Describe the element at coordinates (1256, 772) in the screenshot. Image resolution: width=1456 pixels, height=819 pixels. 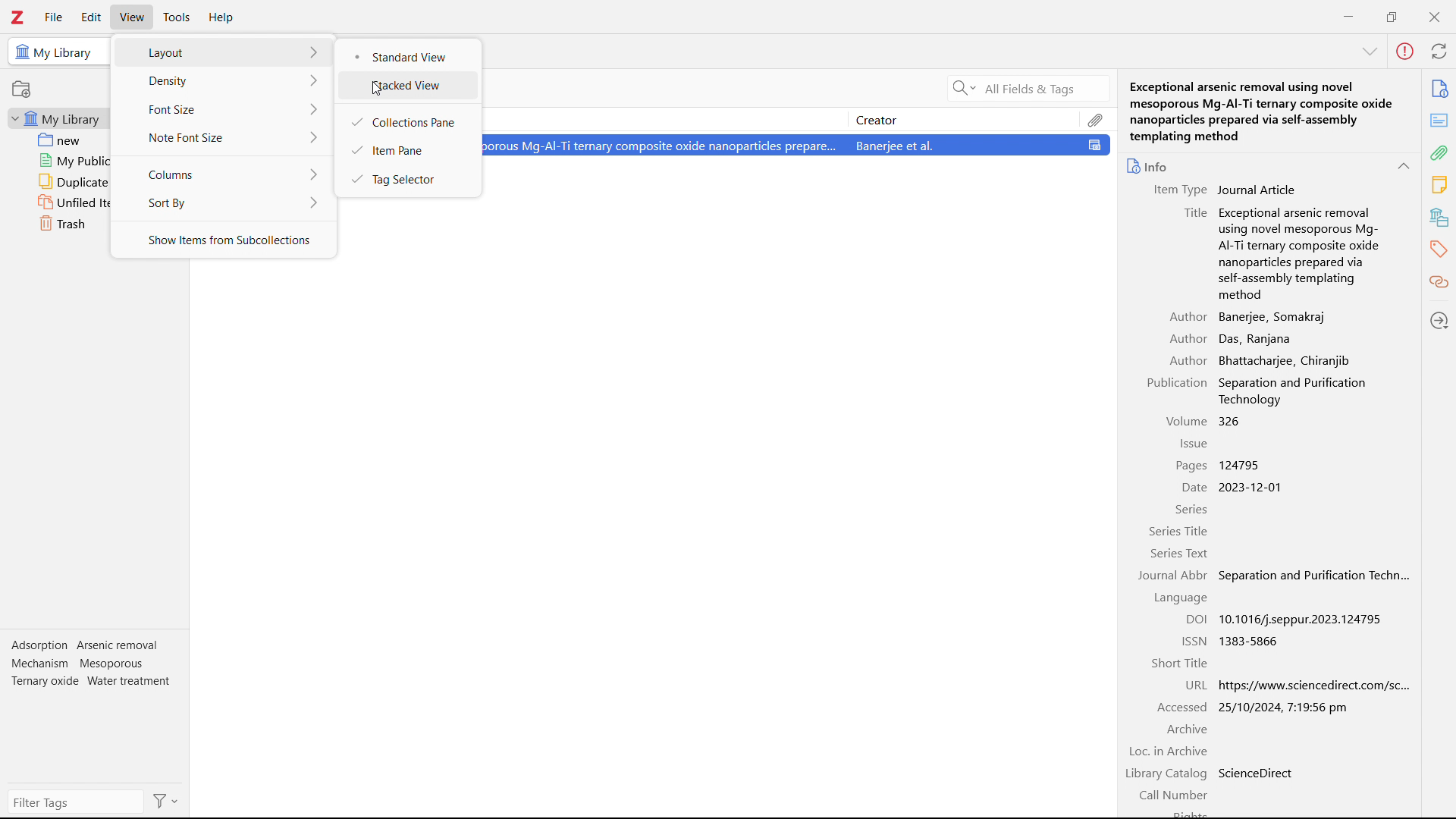
I see `ScienceDirect` at that location.